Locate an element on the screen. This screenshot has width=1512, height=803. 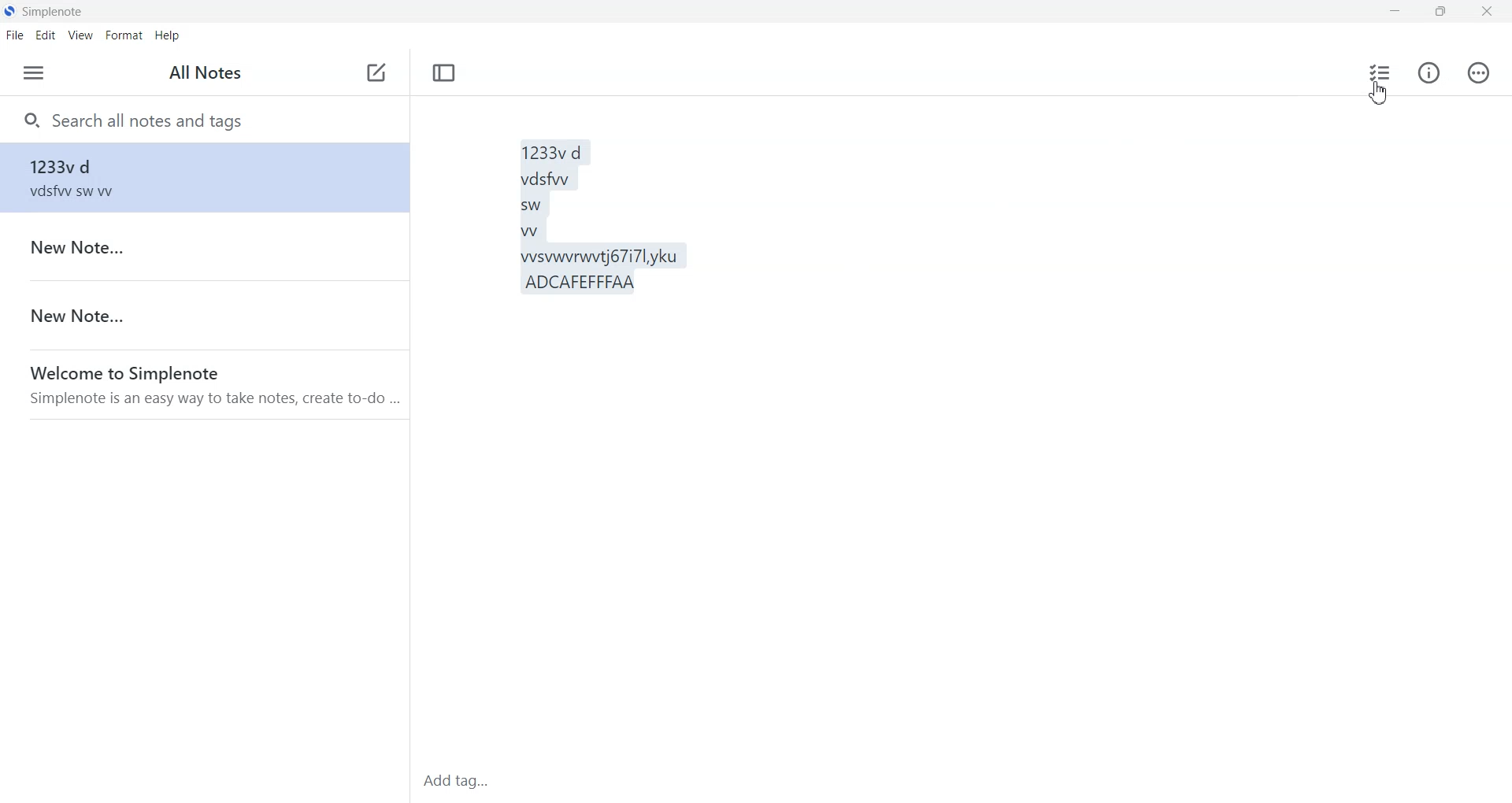
Add new note is located at coordinates (376, 72).